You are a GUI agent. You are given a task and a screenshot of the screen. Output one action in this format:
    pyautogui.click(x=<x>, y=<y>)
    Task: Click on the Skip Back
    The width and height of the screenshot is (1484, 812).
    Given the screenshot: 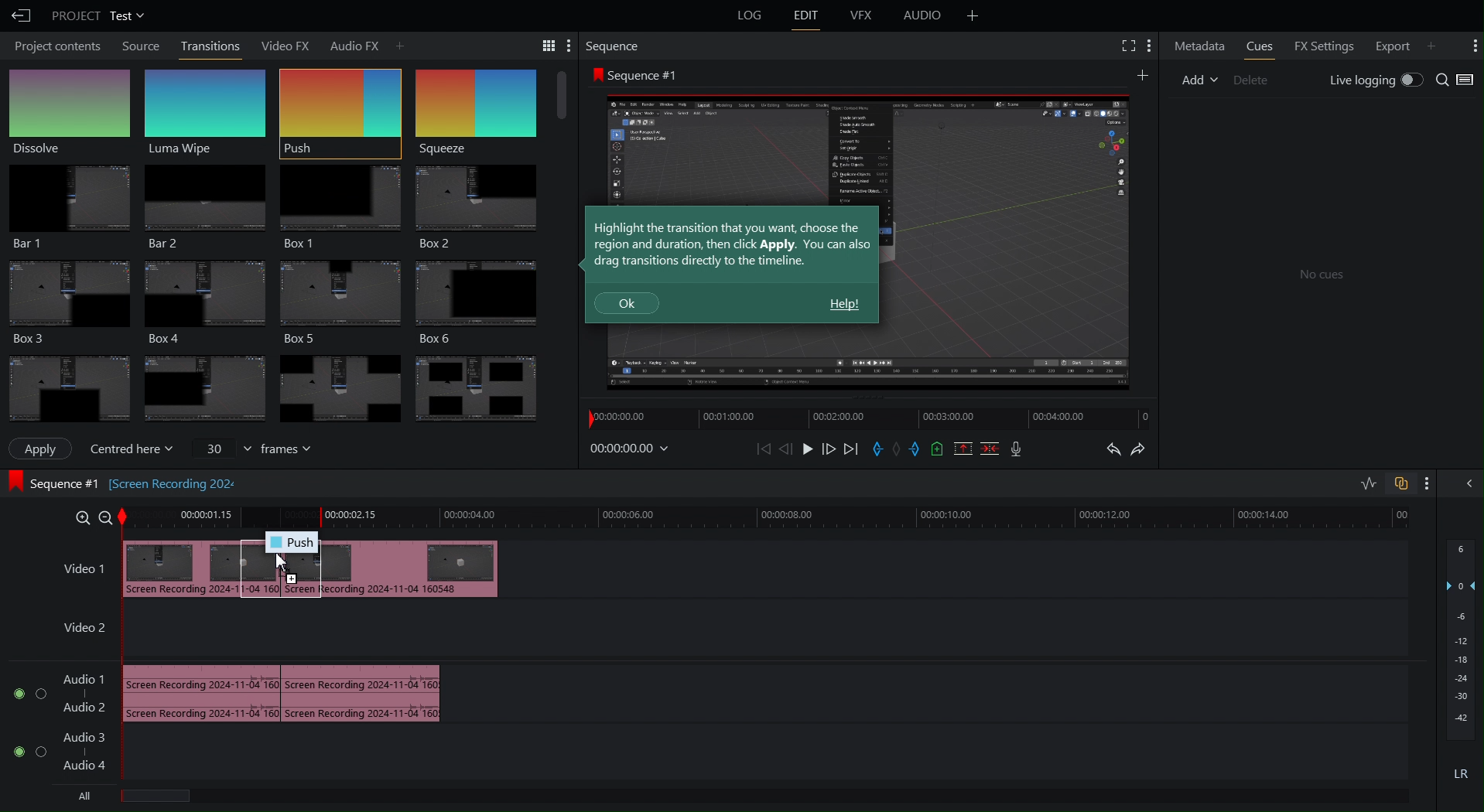 What is the action you would take?
    pyautogui.click(x=764, y=449)
    